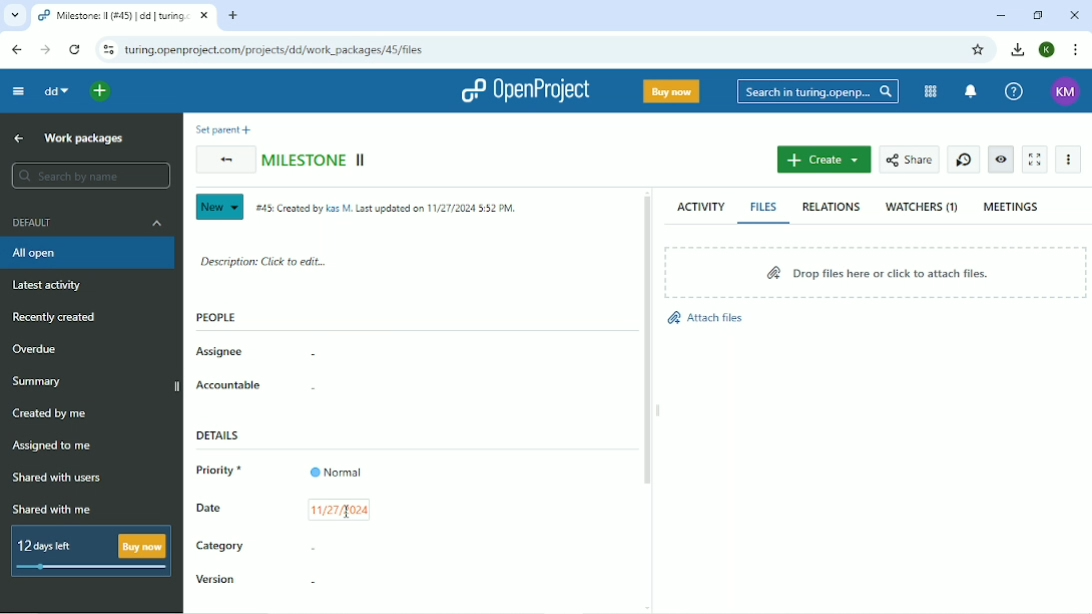 The width and height of the screenshot is (1092, 614). What do you see at coordinates (54, 317) in the screenshot?
I see `Recently created` at bounding box center [54, 317].